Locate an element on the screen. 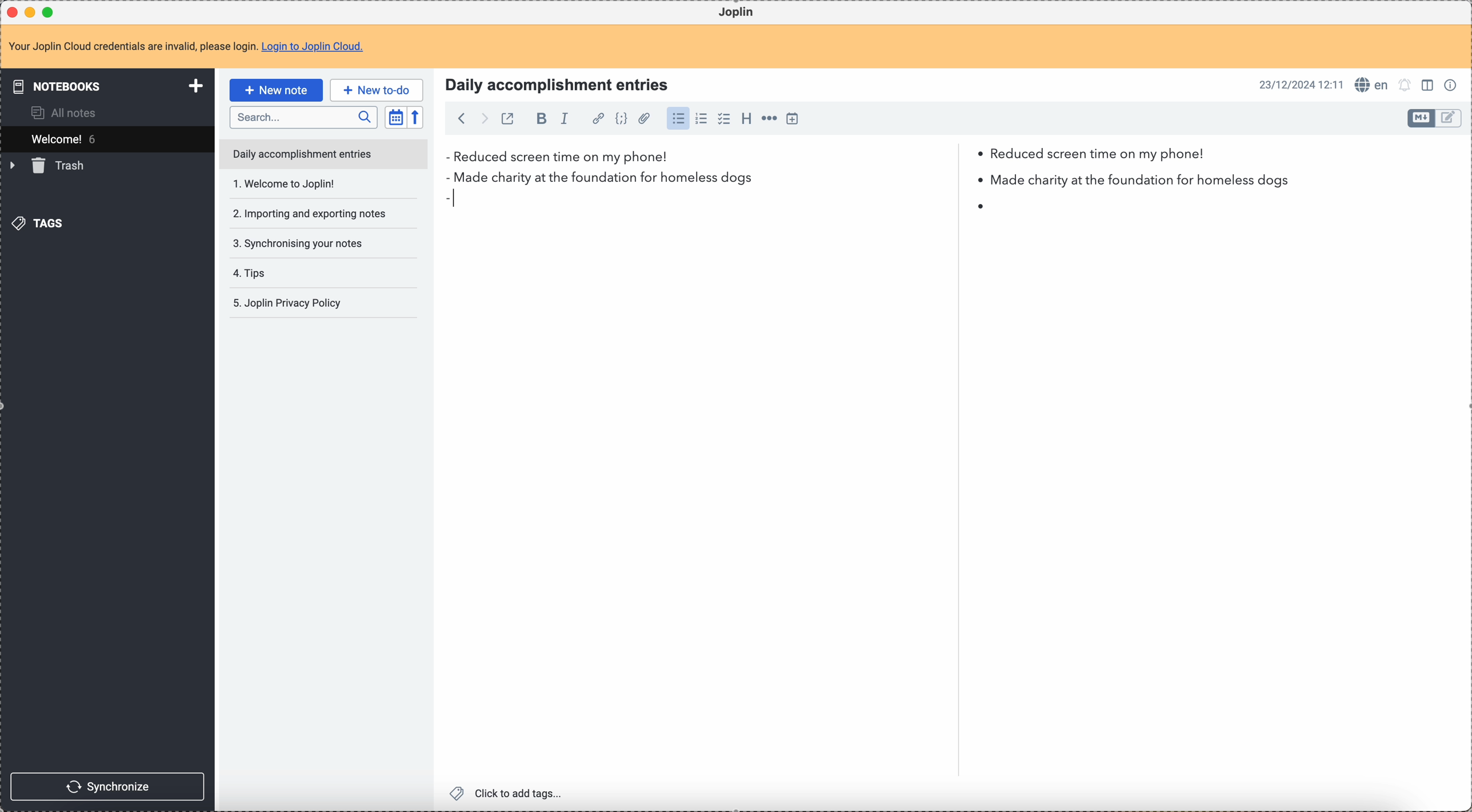 This screenshot has height=812, width=1472. heading is located at coordinates (746, 119).